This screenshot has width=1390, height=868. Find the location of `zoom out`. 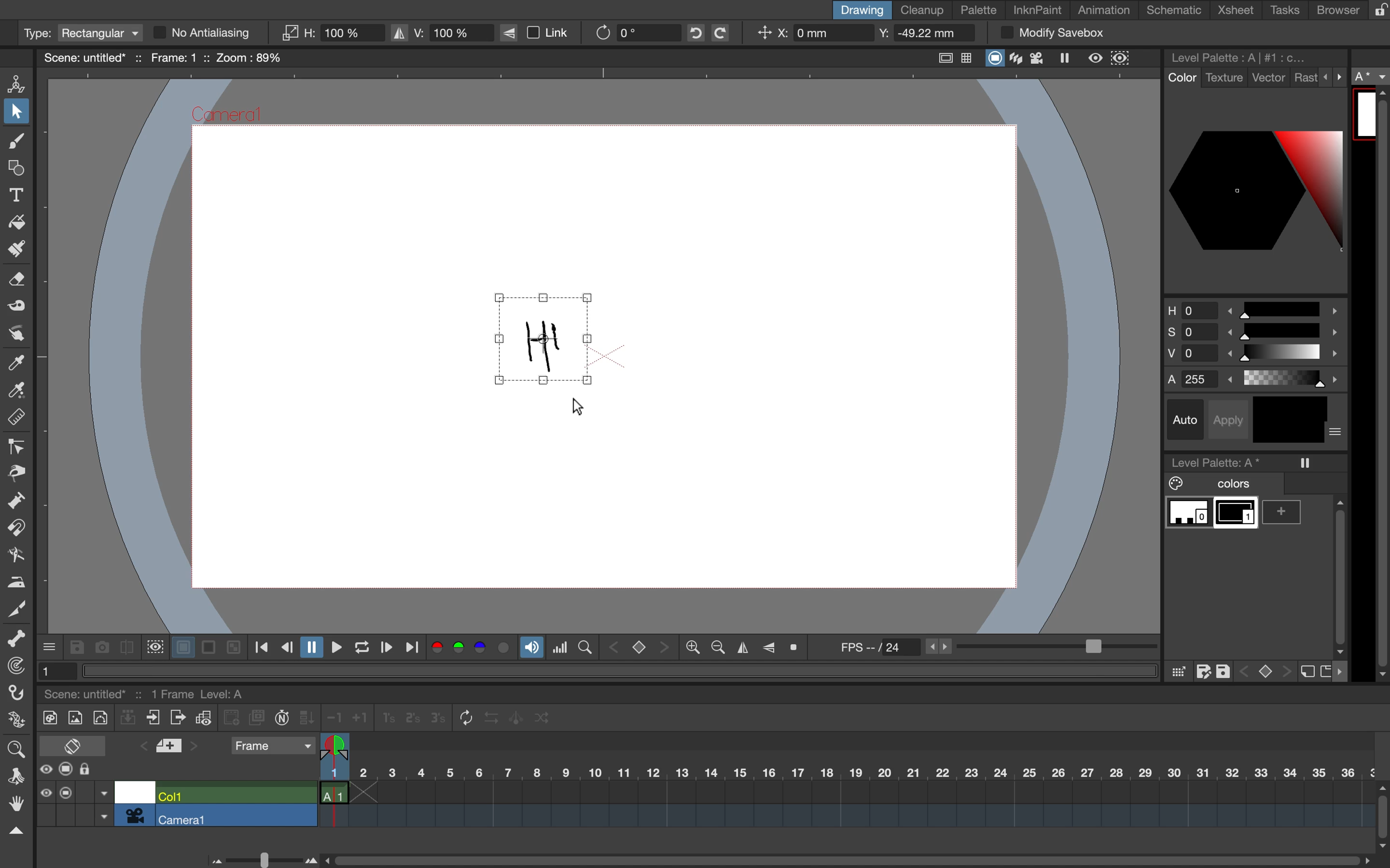

zoom out is located at coordinates (692, 649).